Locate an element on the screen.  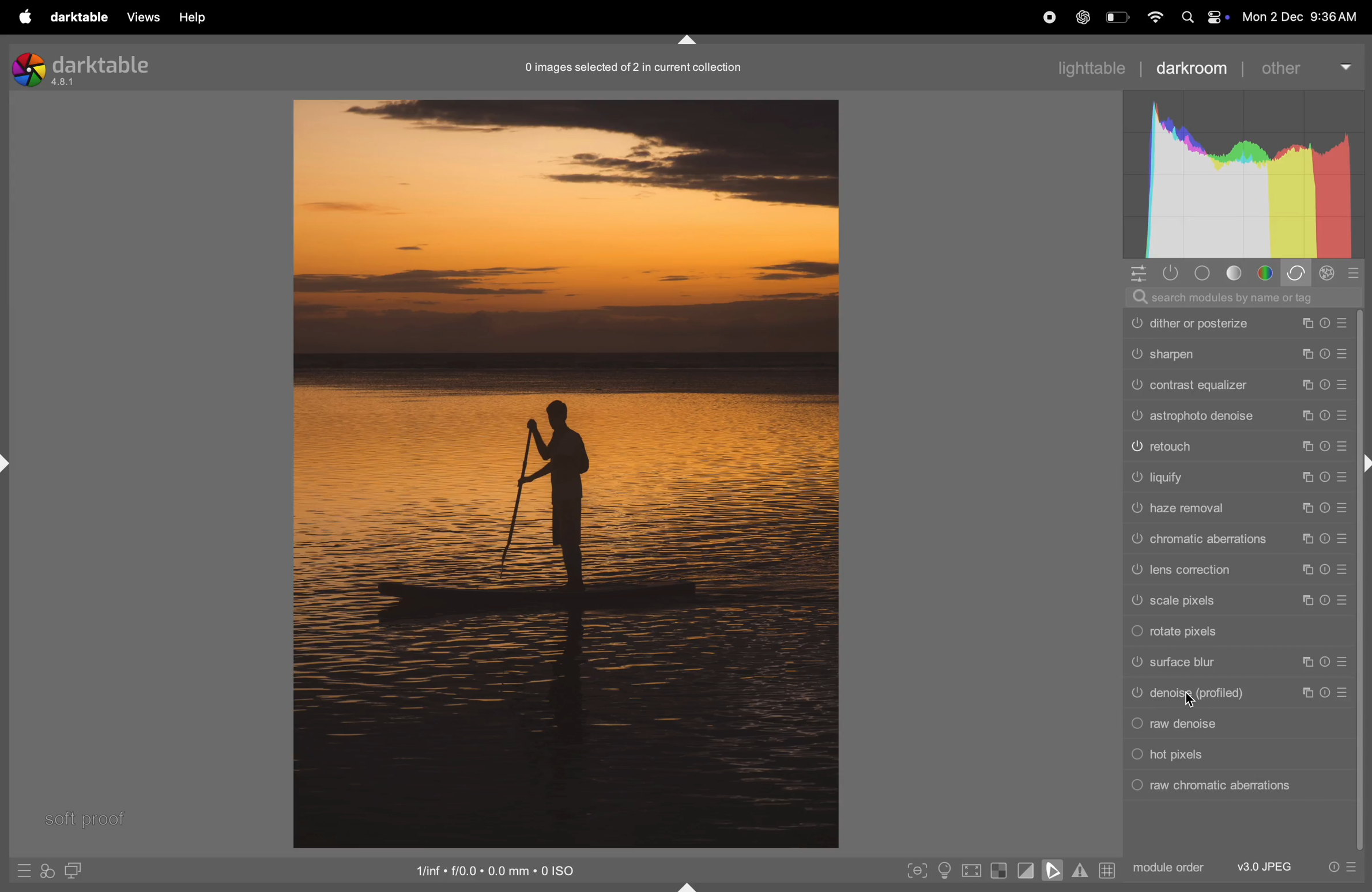
other is located at coordinates (1309, 65).